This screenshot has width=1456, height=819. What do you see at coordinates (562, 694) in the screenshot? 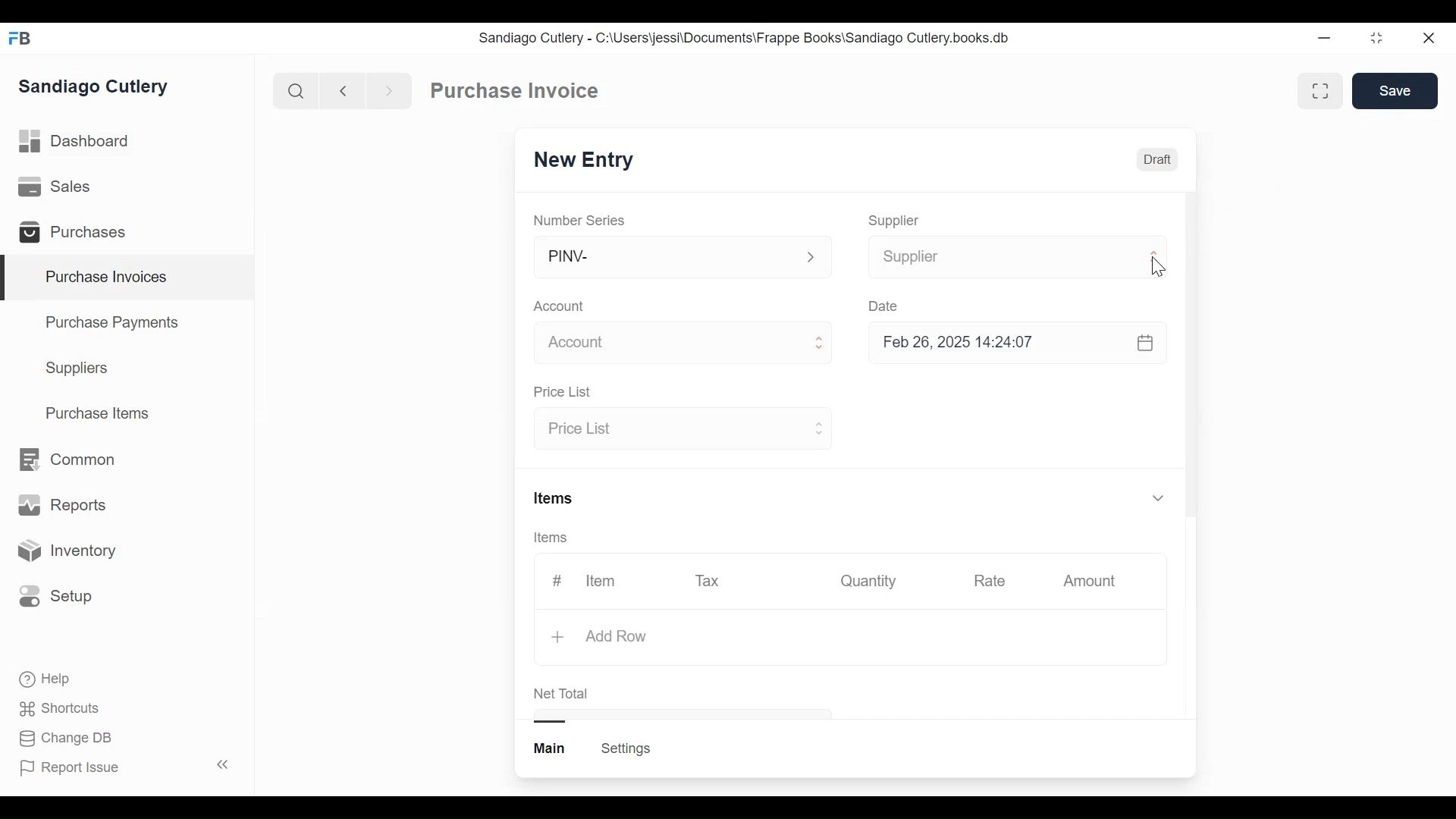
I see `Net Total` at bounding box center [562, 694].